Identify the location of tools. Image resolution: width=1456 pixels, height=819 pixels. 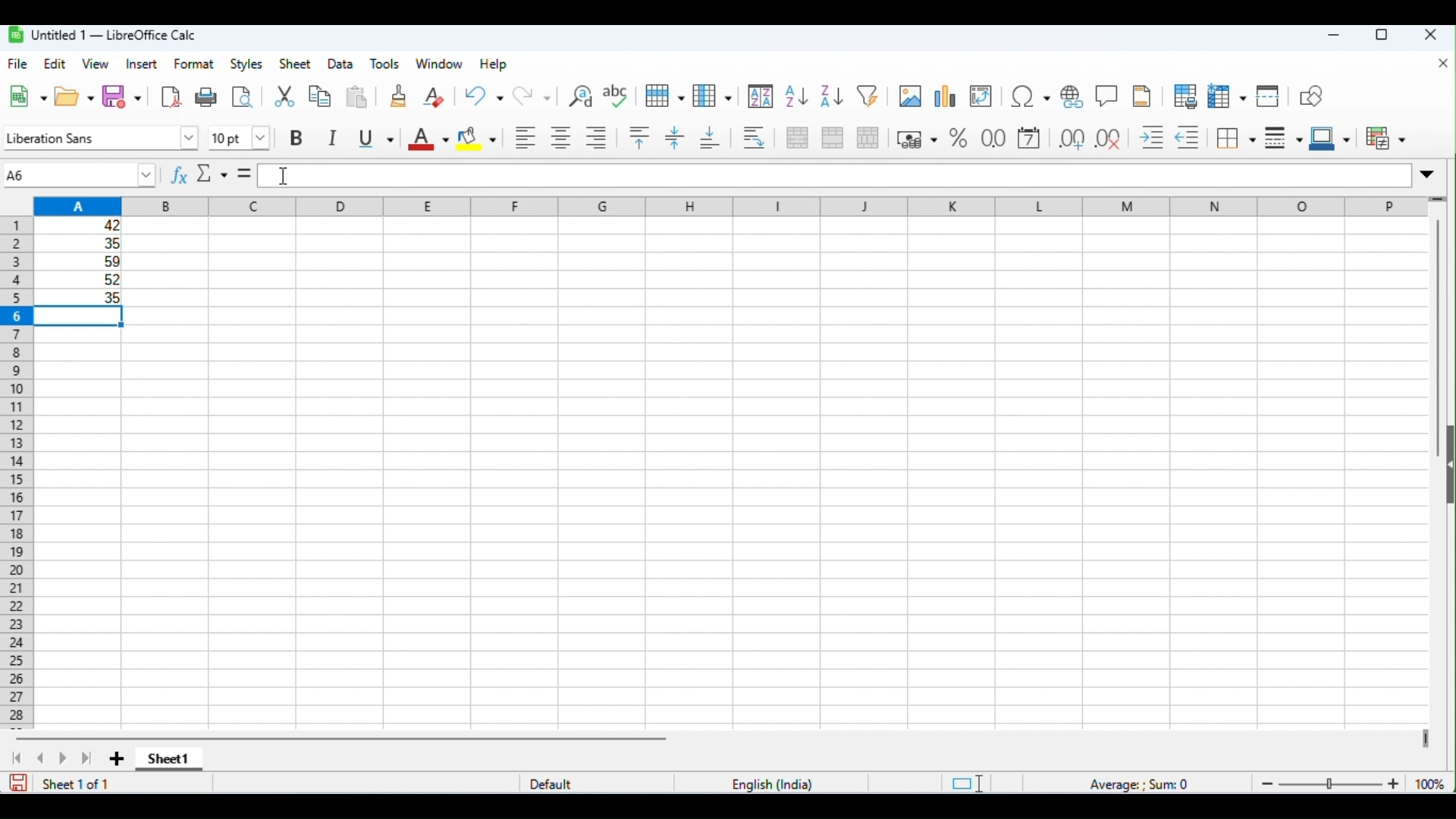
(386, 64).